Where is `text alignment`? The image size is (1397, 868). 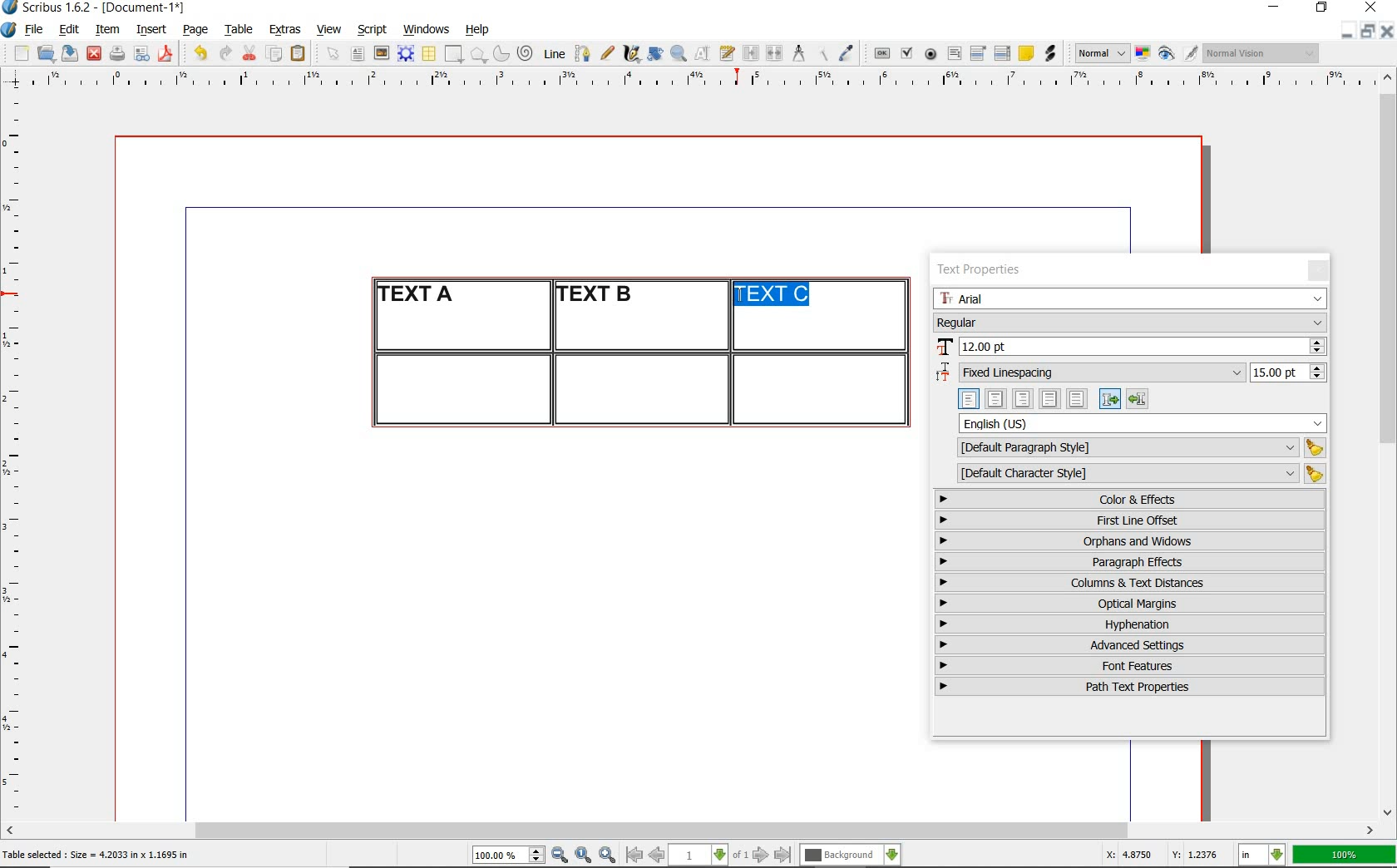 text alignment is located at coordinates (1053, 398).